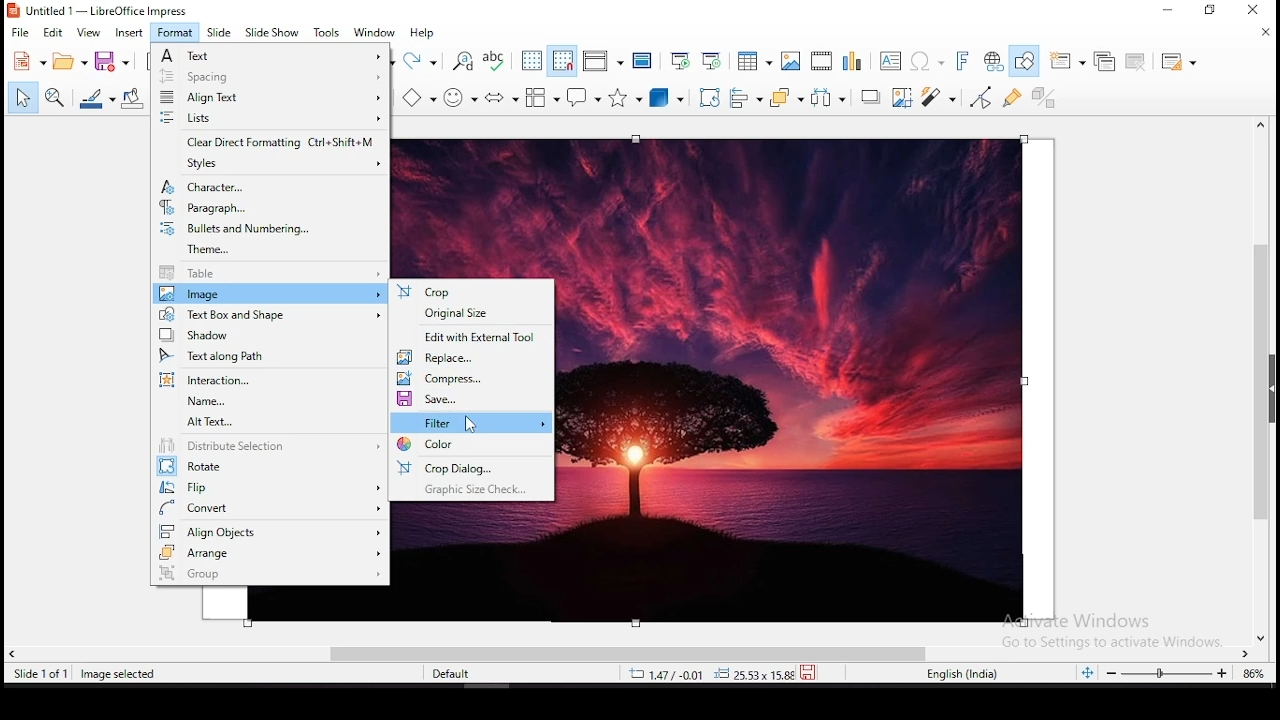 Image resolution: width=1280 pixels, height=720 pixels. What do you see at coordinates (268, 119) in the screenshot?
I see `lists` at bounding box center [268, 119].